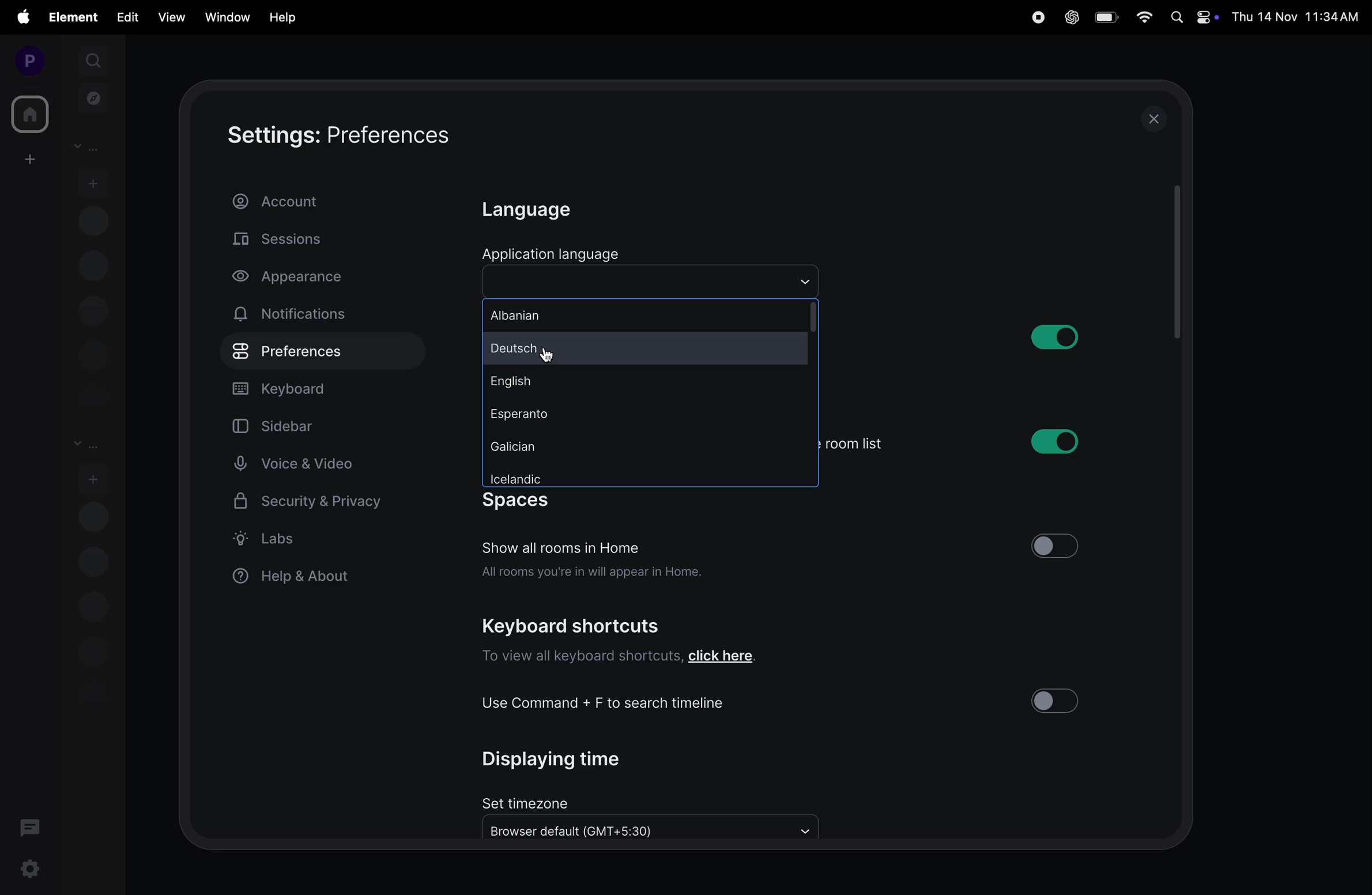  Describe the element at coordinates (300, 579) in the screenshot. I see `help and about` at that location.